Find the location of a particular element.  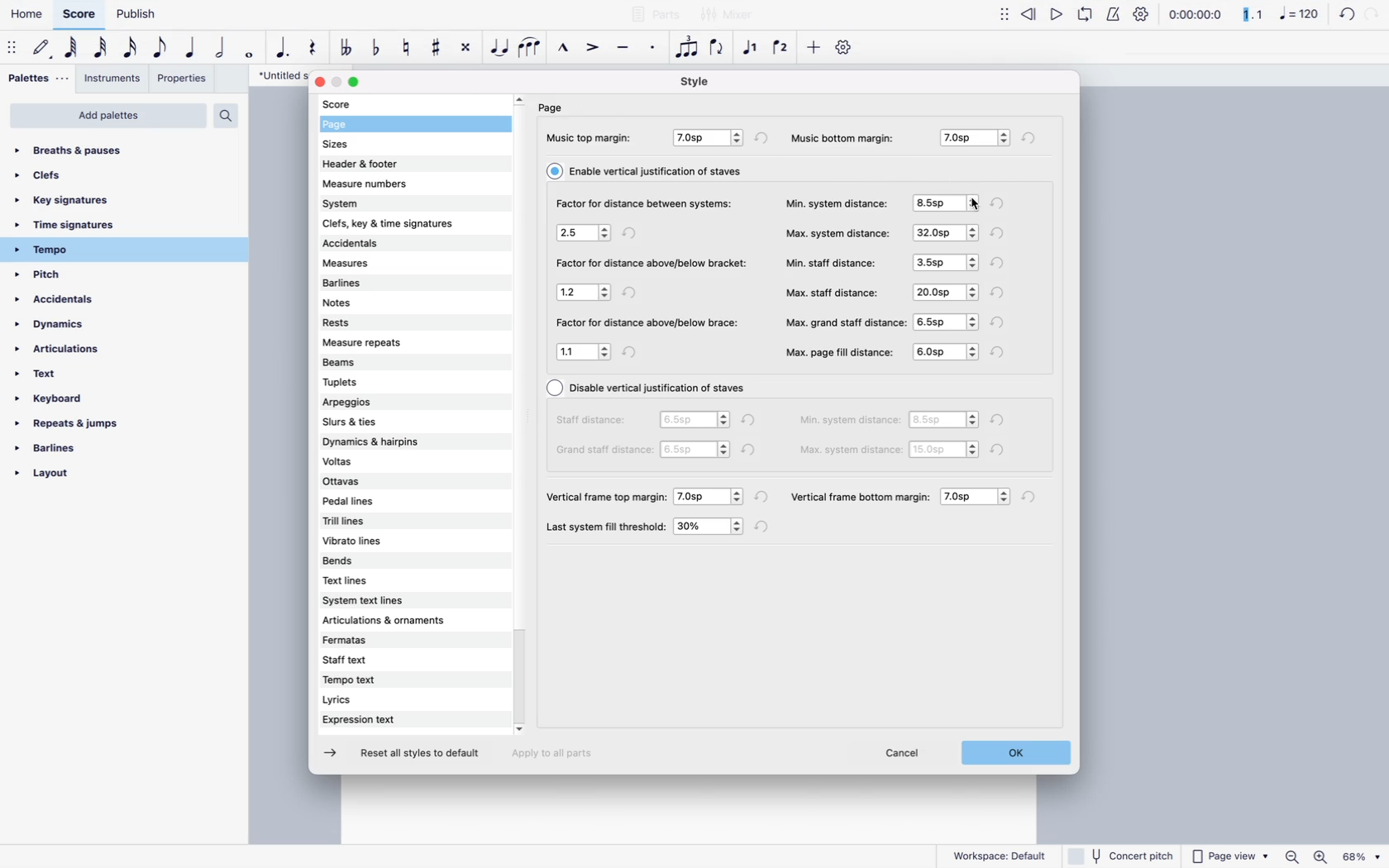

slur is located at coordinates (530, 48).